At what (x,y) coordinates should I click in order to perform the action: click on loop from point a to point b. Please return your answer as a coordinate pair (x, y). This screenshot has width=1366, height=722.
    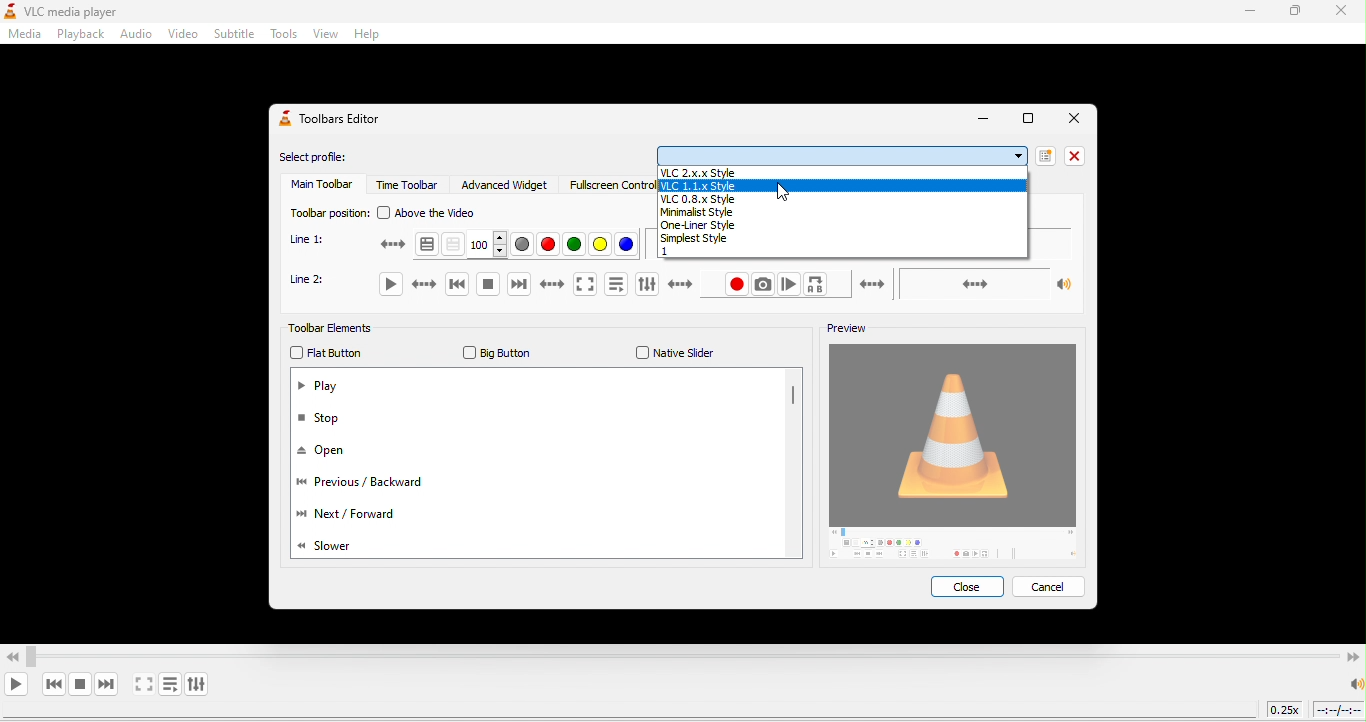
    Looking at the image, I should click on (846, 286).